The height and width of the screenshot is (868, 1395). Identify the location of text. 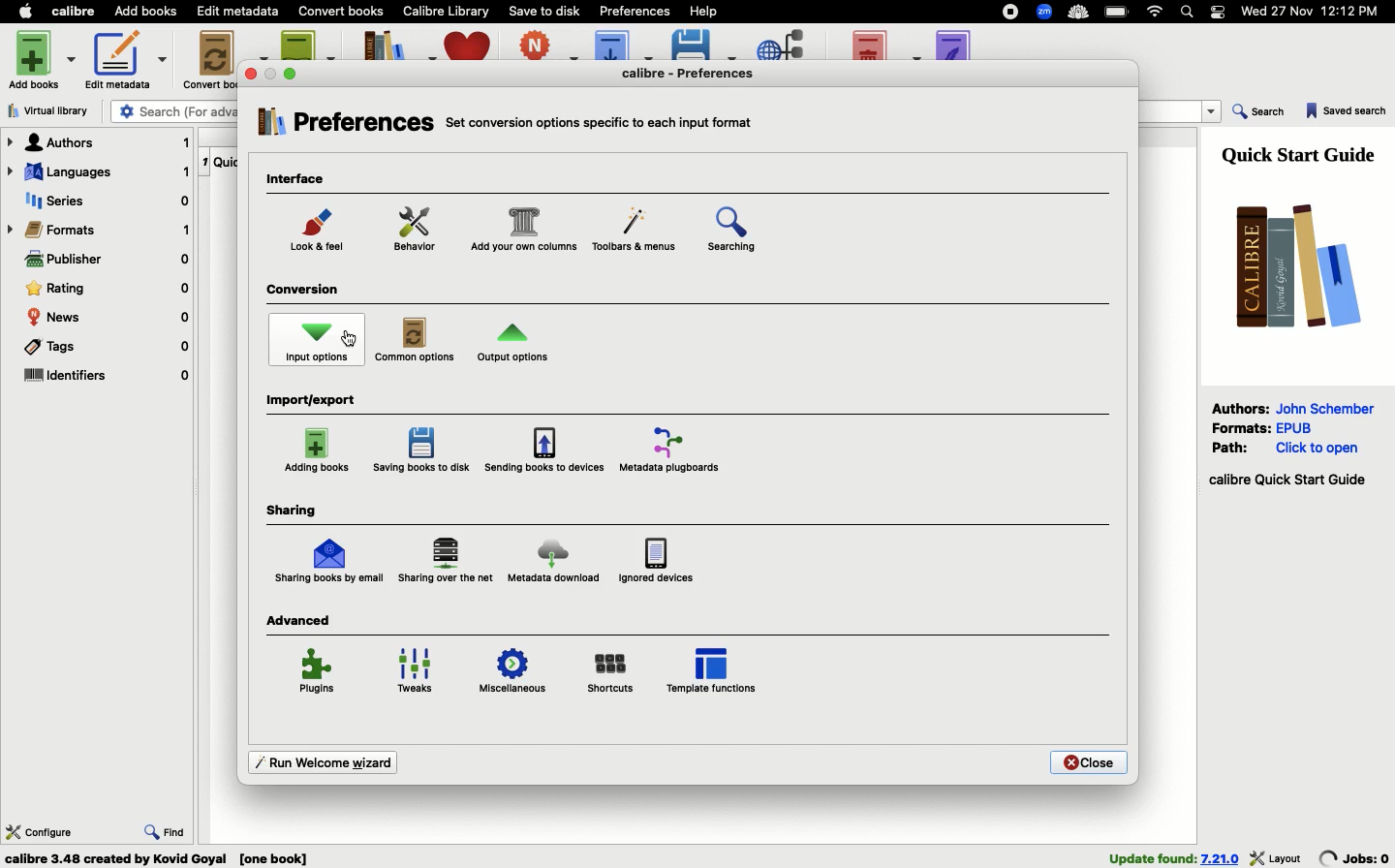
(602, 120).